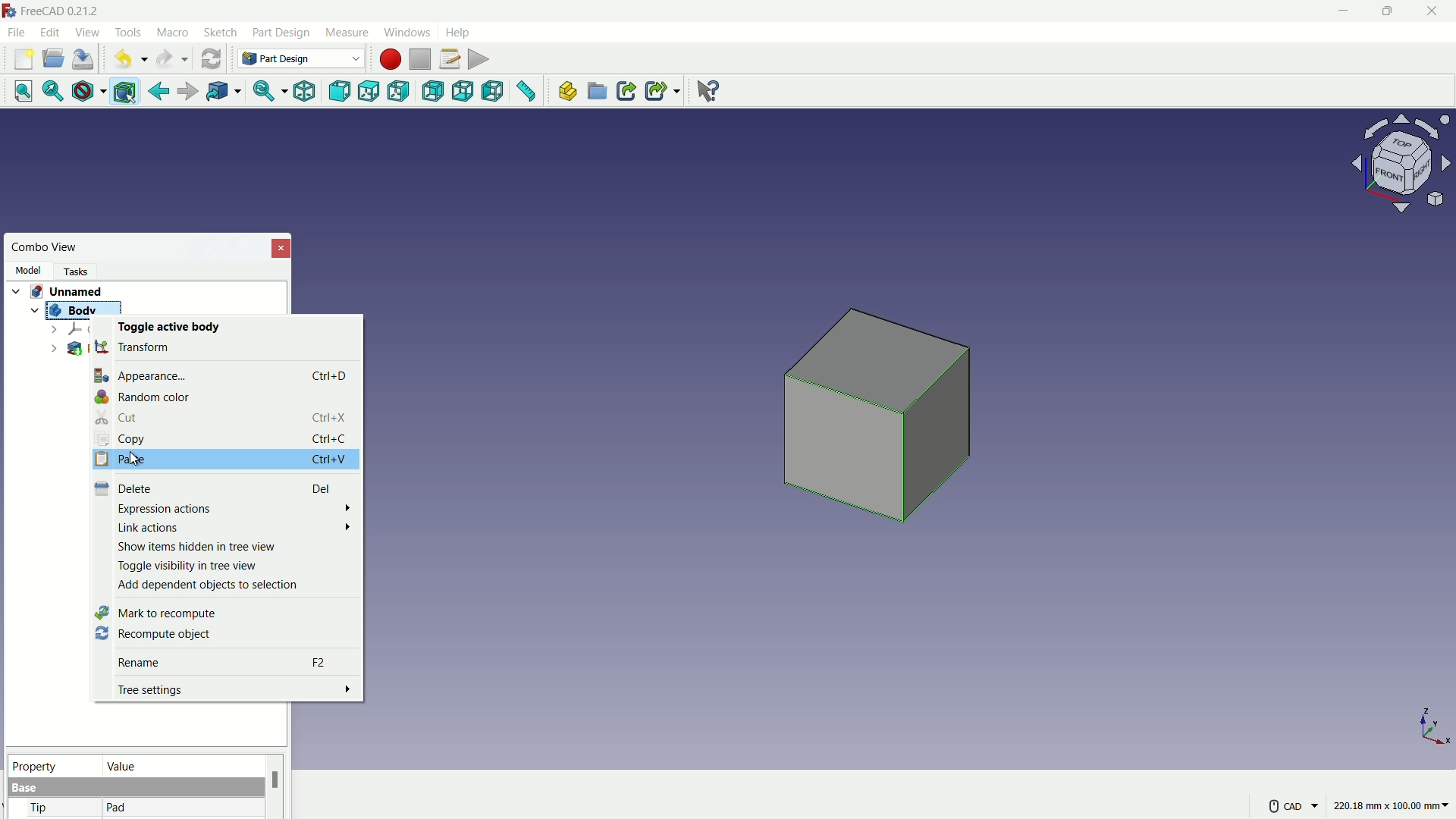  Describe the element at coordinates (127, 93) in the screenshot. I see `bounding box` at that location.